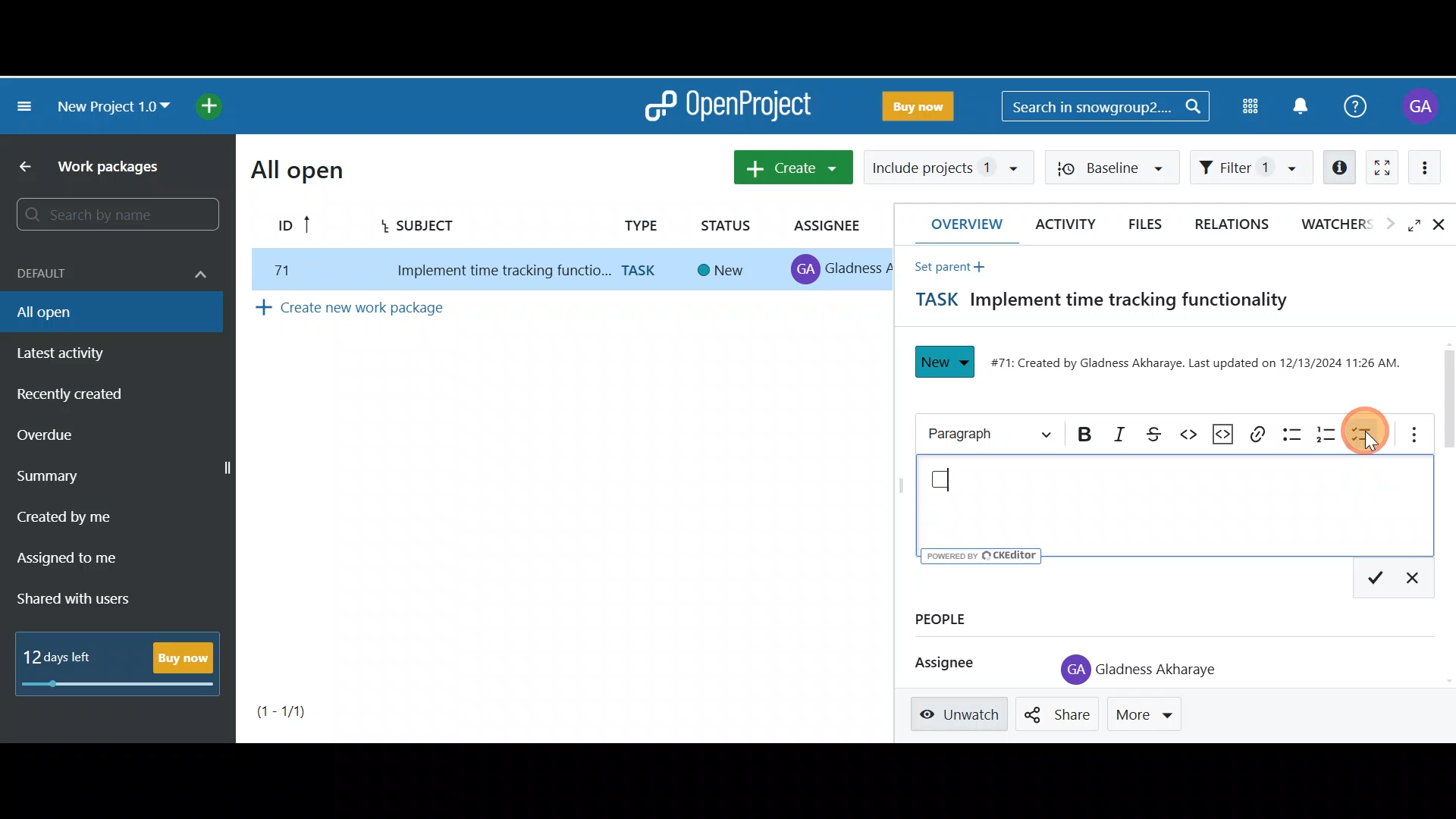  What do you see at coordinates (1059, 714) in the screenshot?
I see `Share` at bounding box center [1059, 714].